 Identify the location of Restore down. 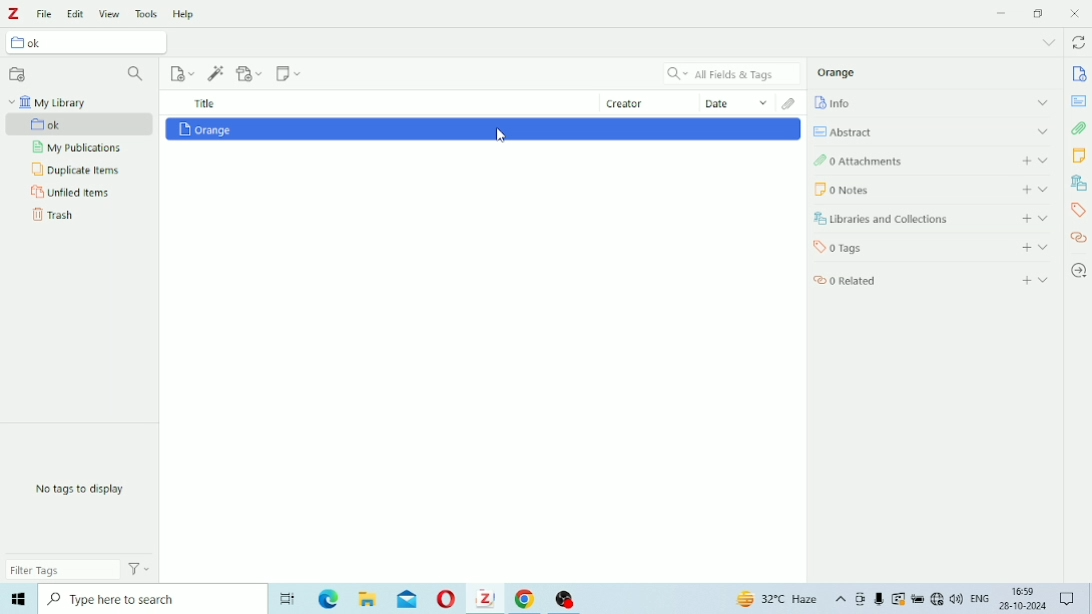
(1040, 14).